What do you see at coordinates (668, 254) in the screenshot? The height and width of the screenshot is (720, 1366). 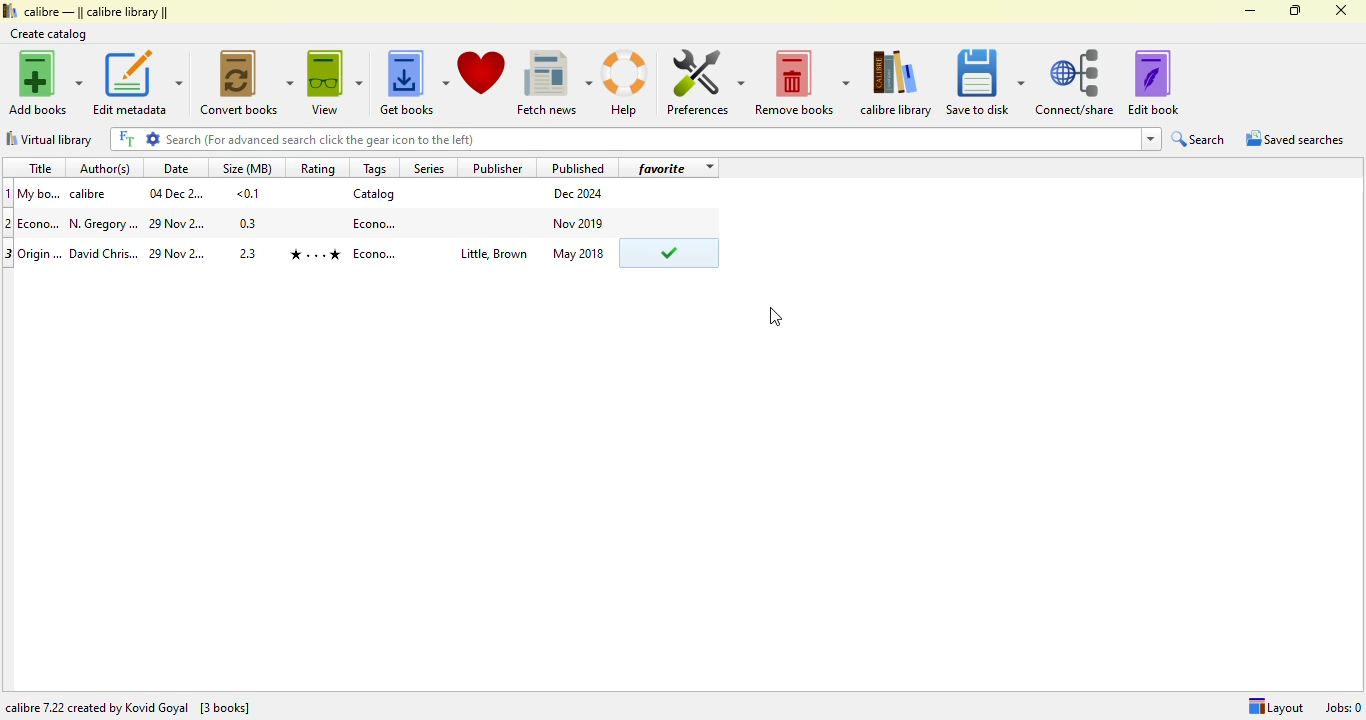 I see `eBook marked as a favorite` at bounding box center [668, 254].